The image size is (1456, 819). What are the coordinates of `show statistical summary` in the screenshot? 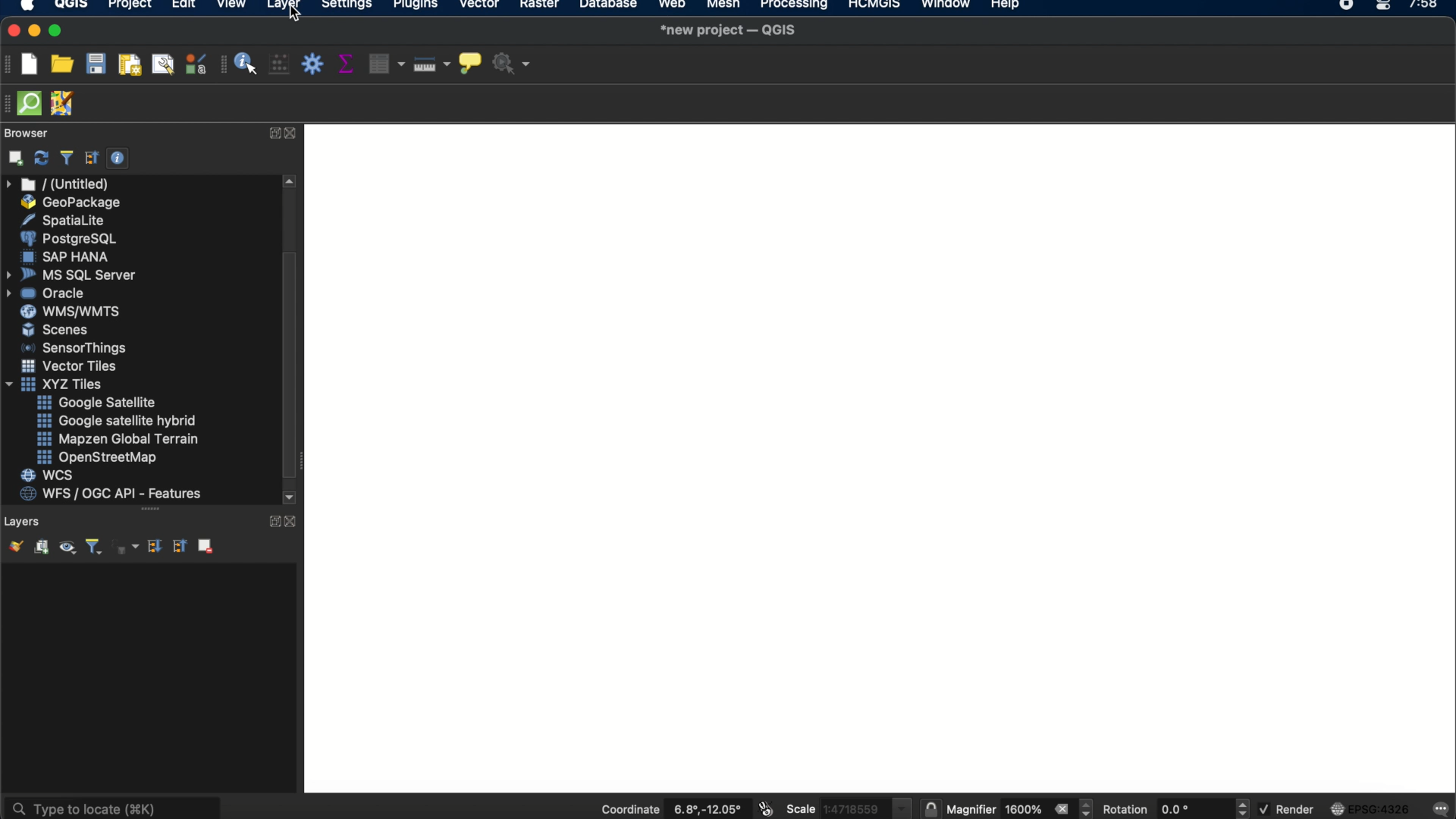 It's located at (345, 64).